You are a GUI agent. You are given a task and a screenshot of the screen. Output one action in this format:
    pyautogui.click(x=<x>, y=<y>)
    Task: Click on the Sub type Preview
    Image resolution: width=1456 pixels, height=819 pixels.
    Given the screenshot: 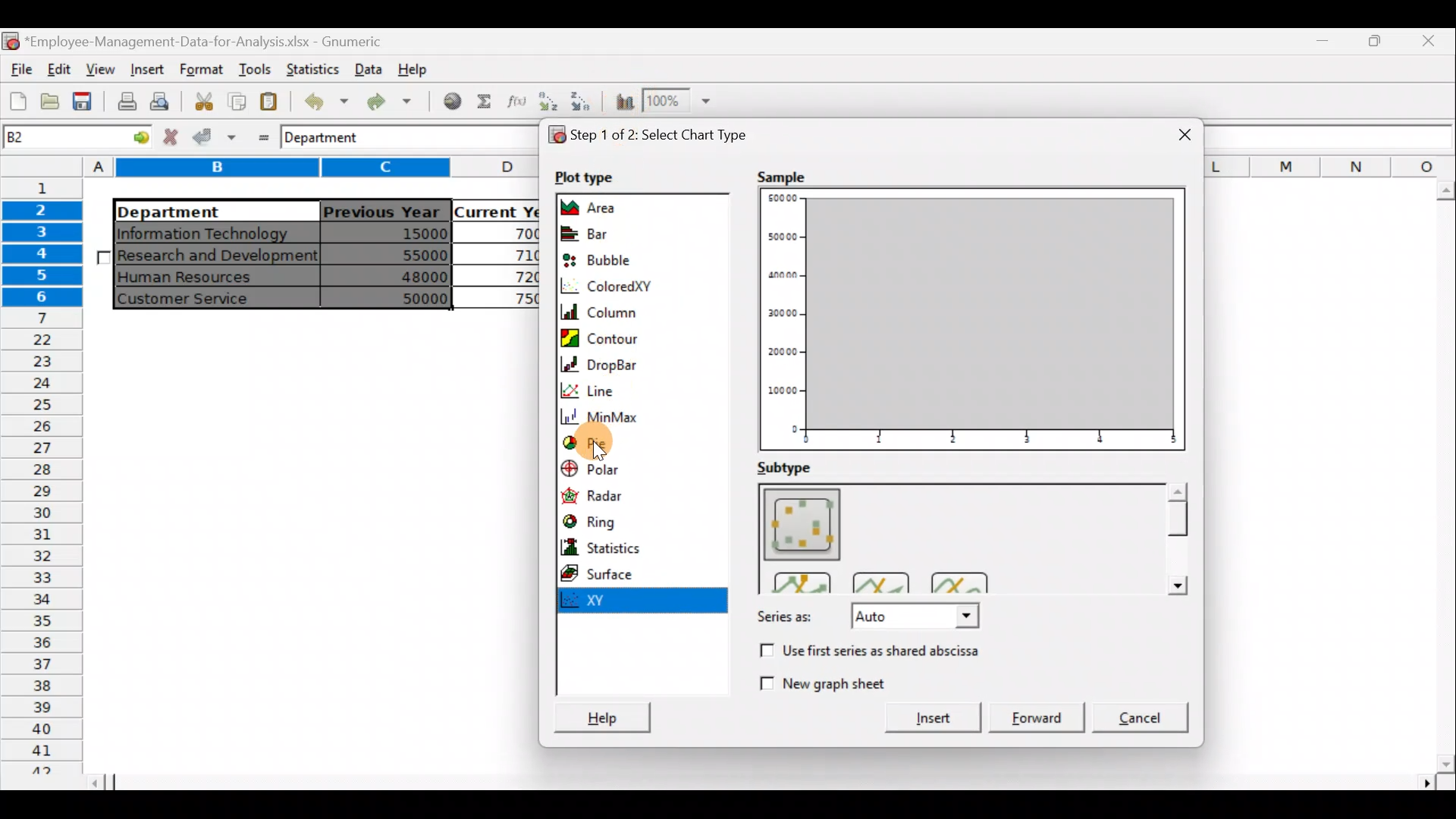 What is the action you would take?
    pyautogui.click(x=955, y=537)
    